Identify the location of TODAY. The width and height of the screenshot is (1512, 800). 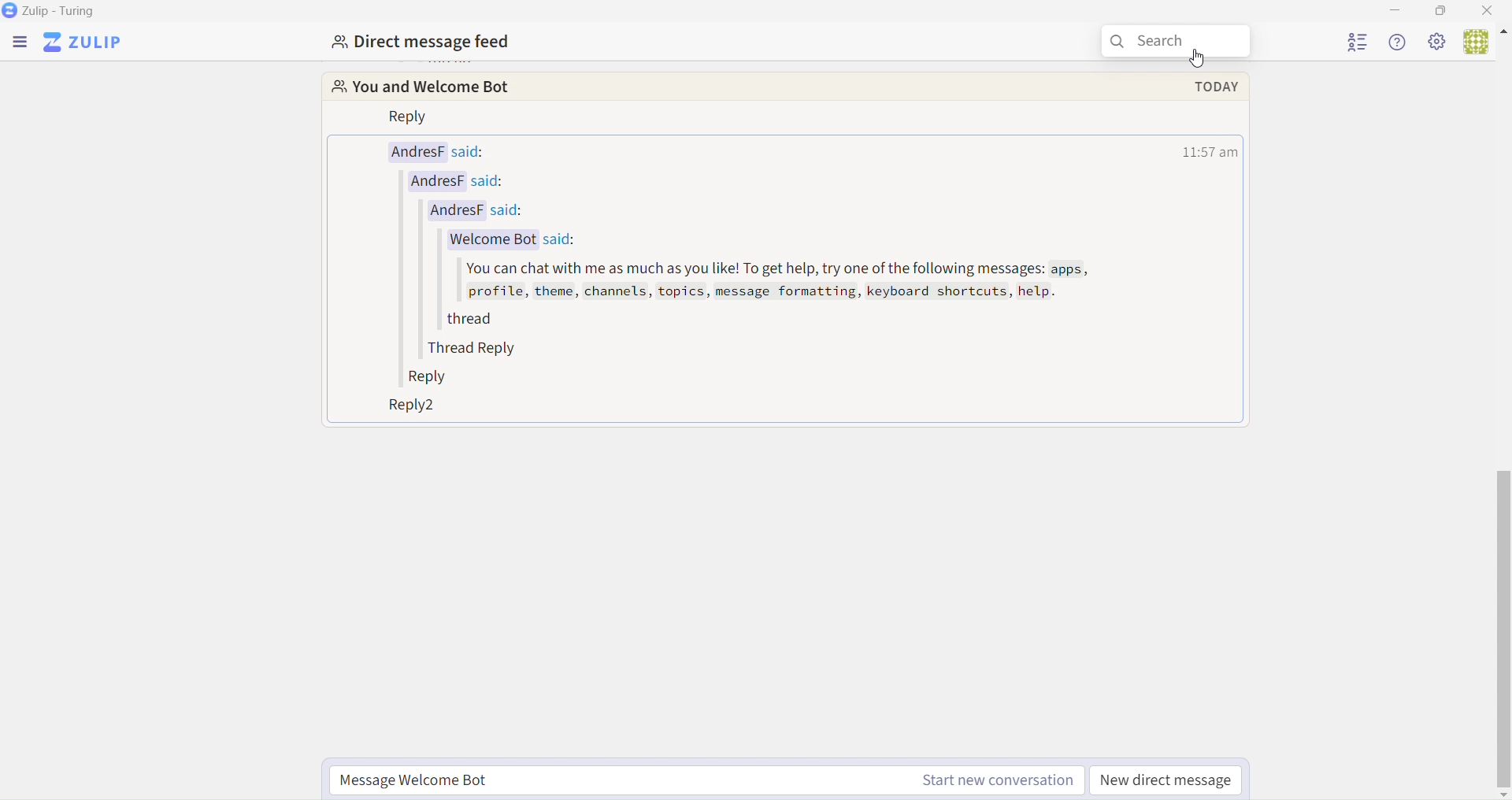
(1206, 87).